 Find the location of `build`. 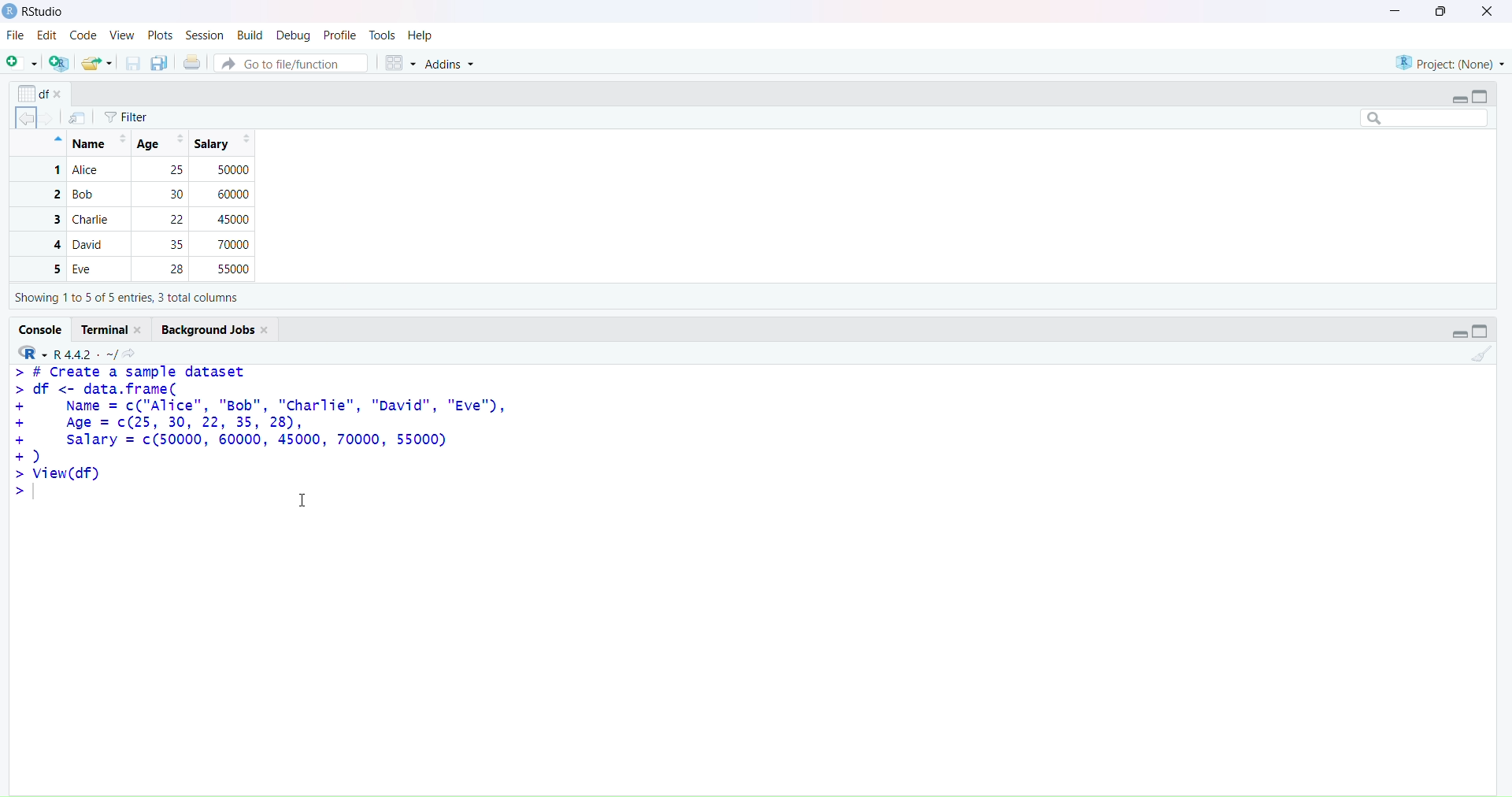

build is located at coordinates (251, 35).